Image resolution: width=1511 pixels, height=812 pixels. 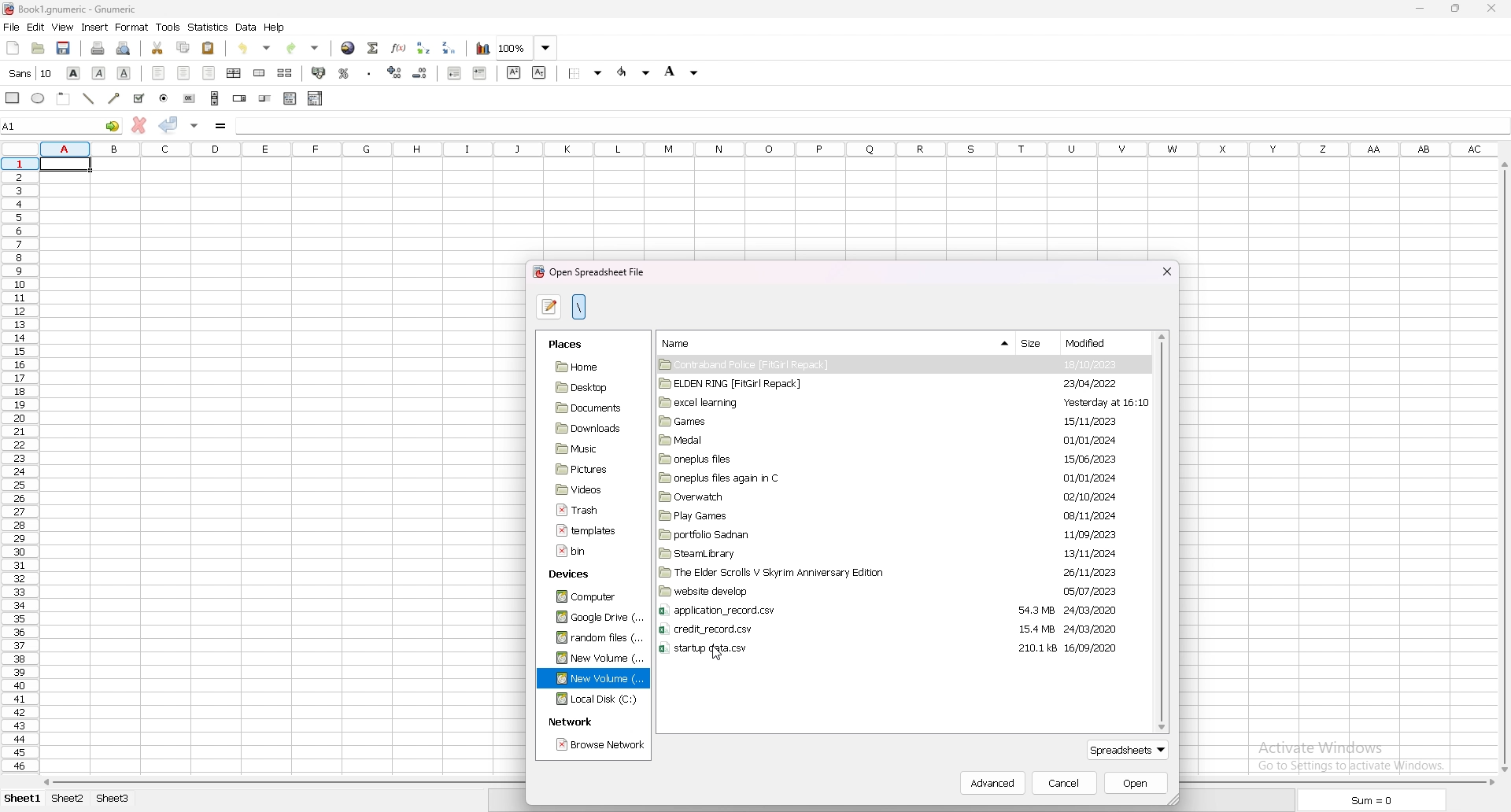 I want to click on view, so click(x=61, y=27).